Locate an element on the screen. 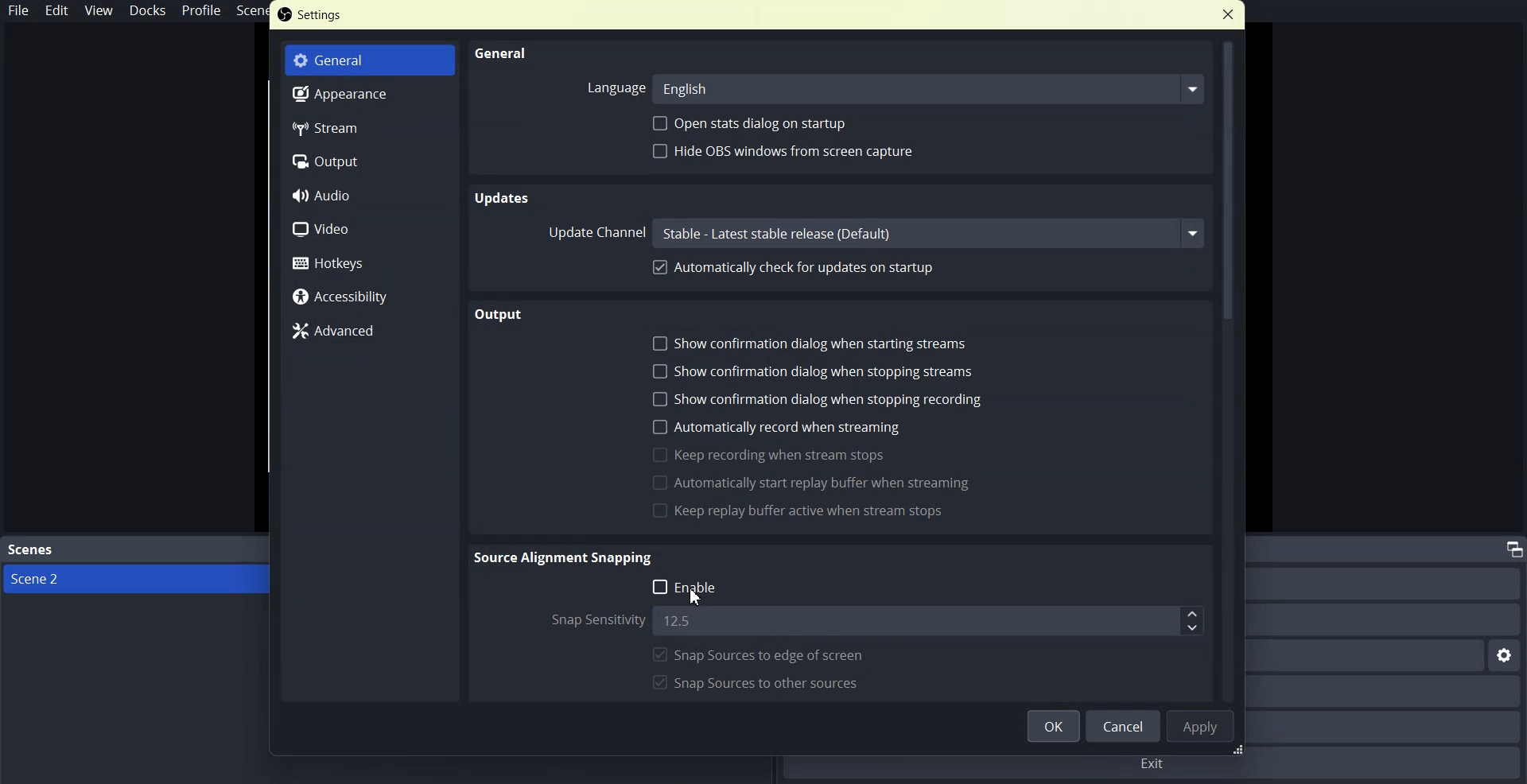 Image resolution: width=1527 pixels, height=784 pixels. Text is located at coordinates (311, 14).